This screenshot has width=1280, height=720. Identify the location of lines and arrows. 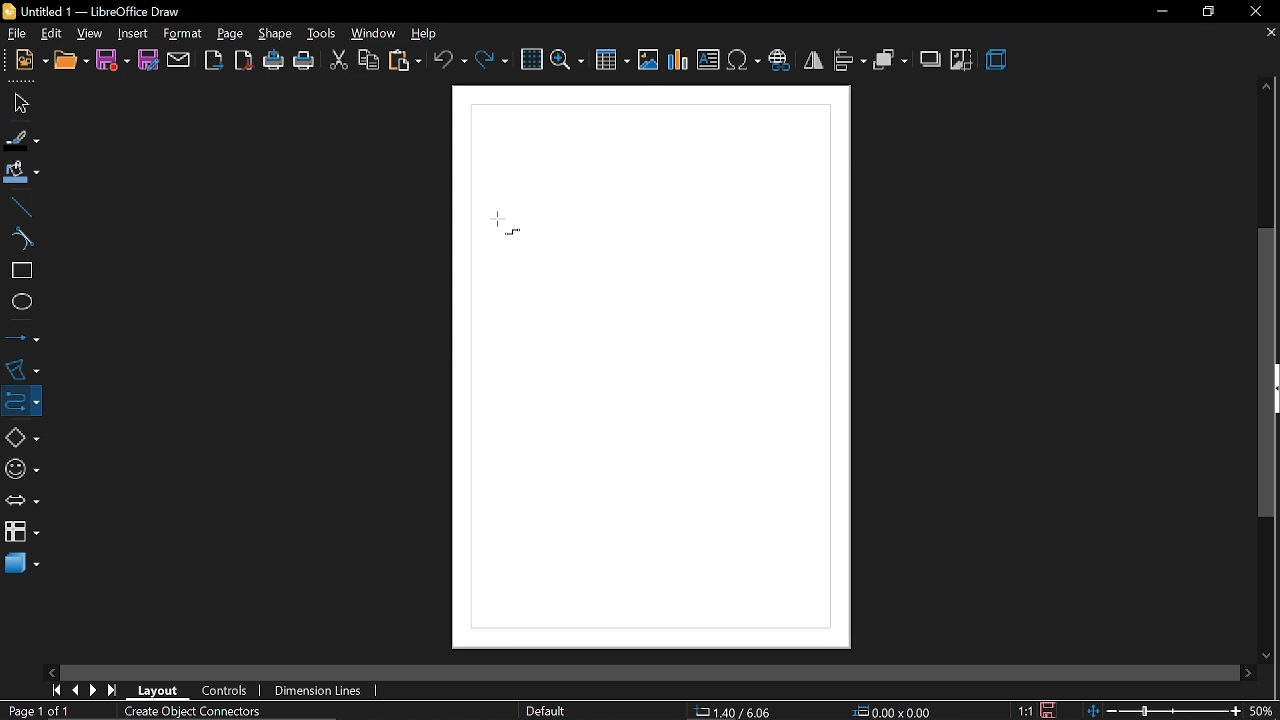
(22, 337).